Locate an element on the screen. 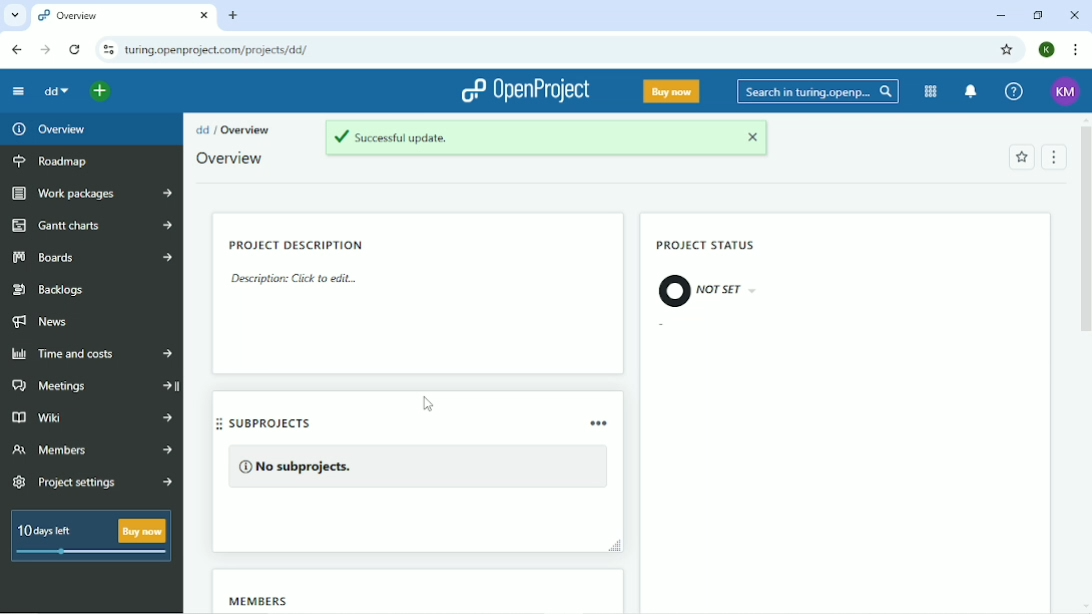 Image resolution: width=1092 pixels, height=614 pixels. 10 days left is located at coordinates (91, 537).